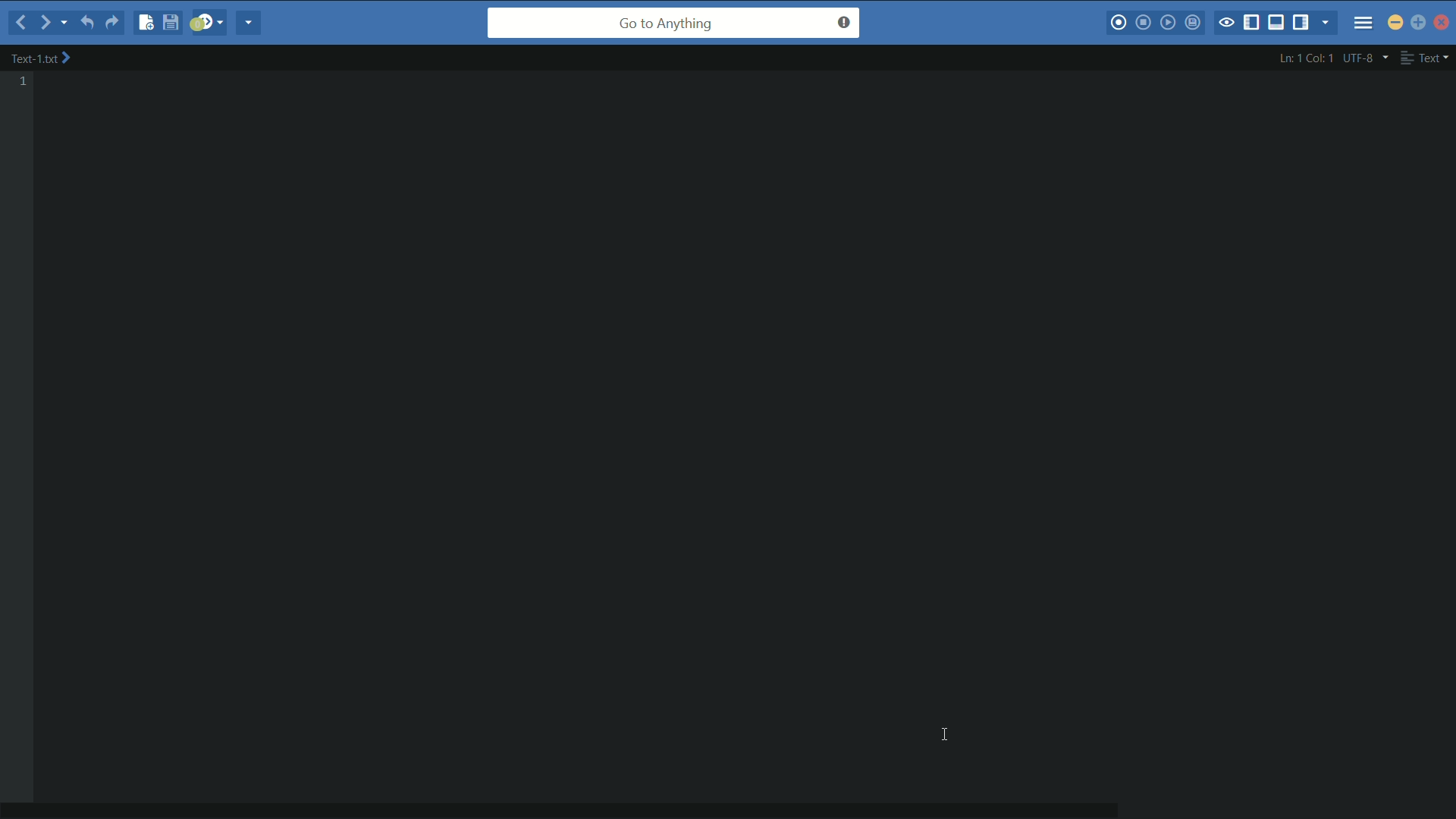 The width and height of the screenshot is (1456, 819). What do you see at coordinates (1420, 21) in the screenshot?
I see `maximize` at bounding box center [1420, 21].